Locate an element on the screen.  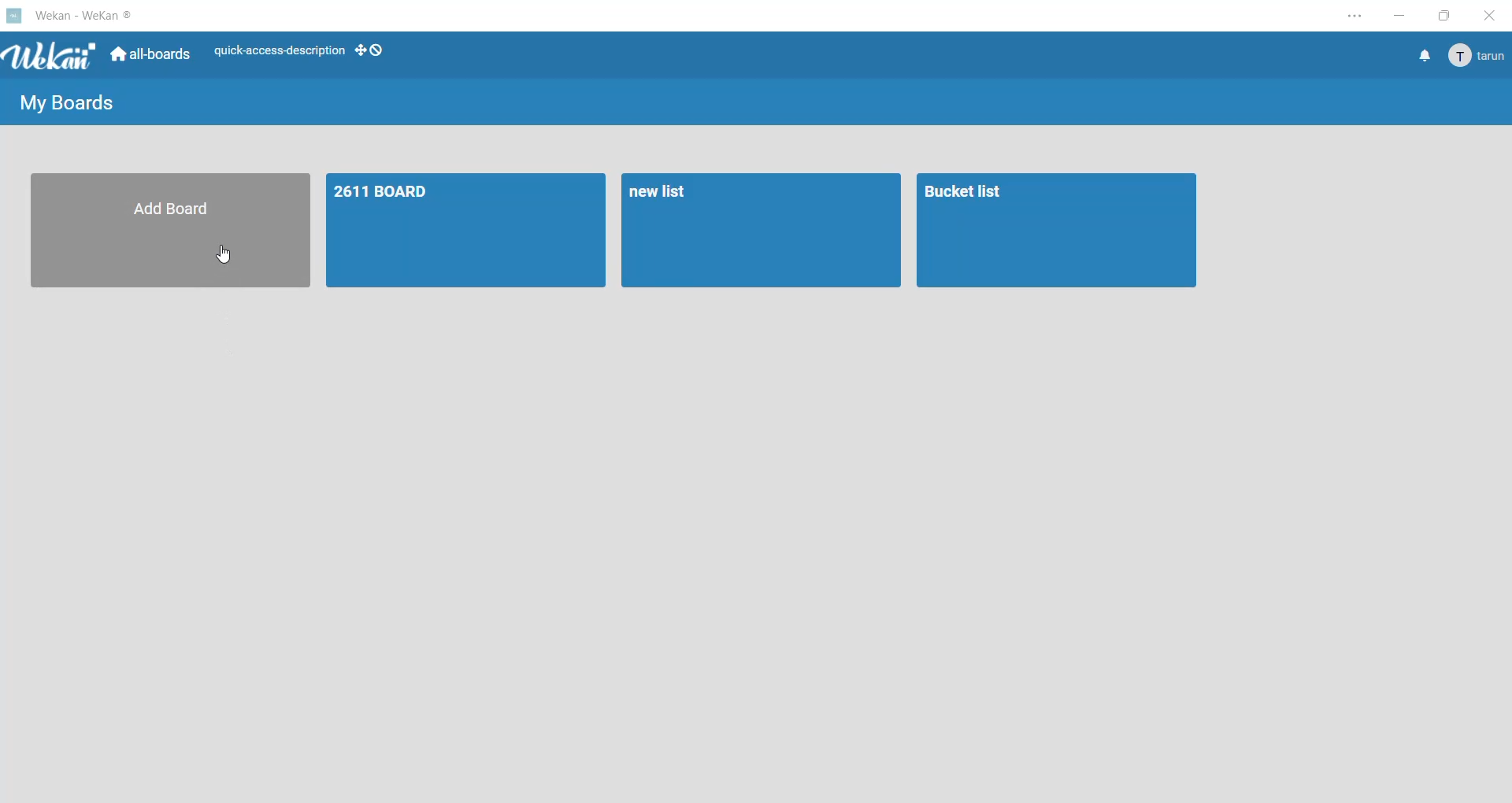
quick access description is located at coordinates (278, 54).